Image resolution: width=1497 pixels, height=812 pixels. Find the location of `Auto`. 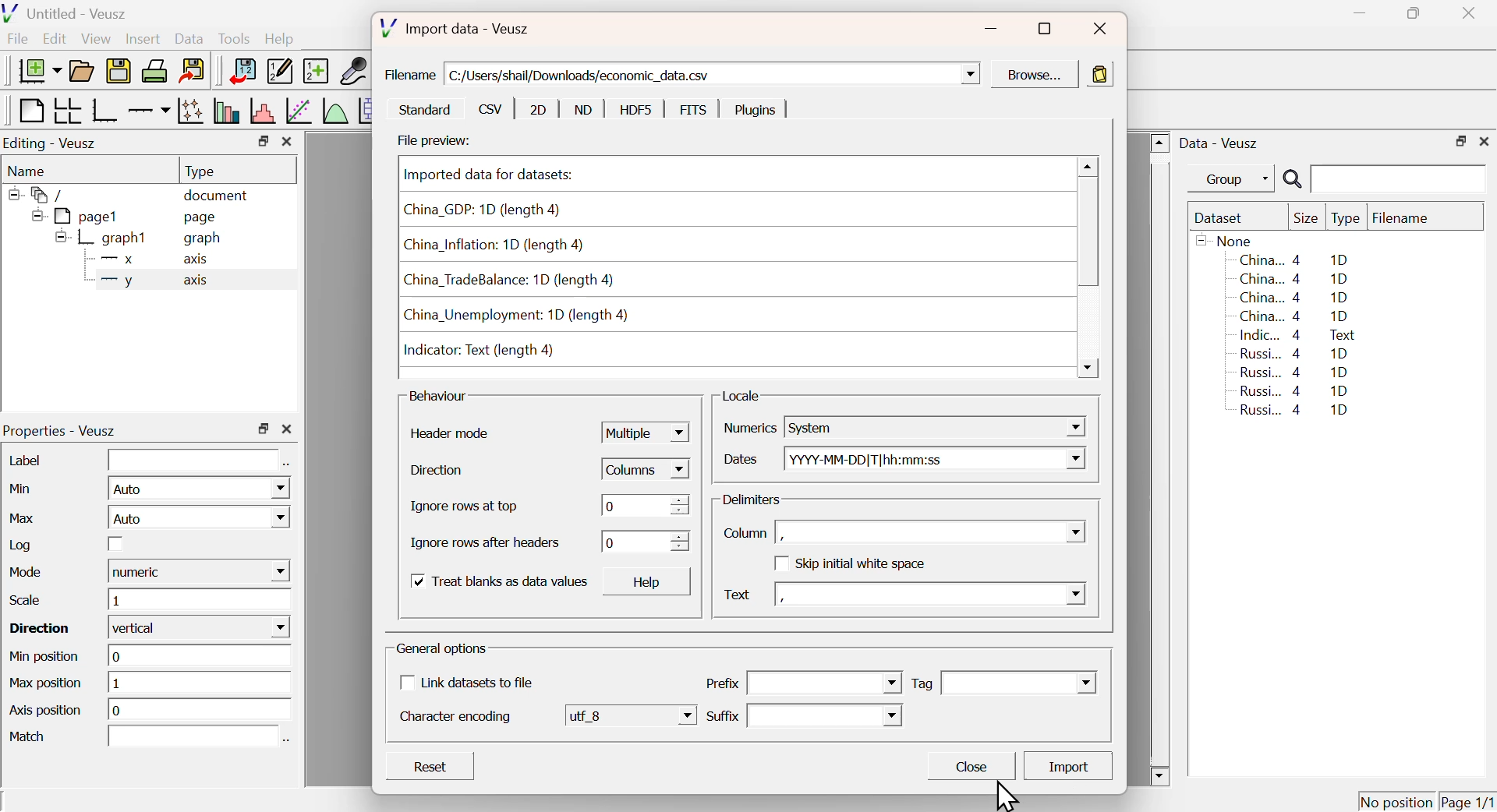

Auto is located at coordinates (199, 489).